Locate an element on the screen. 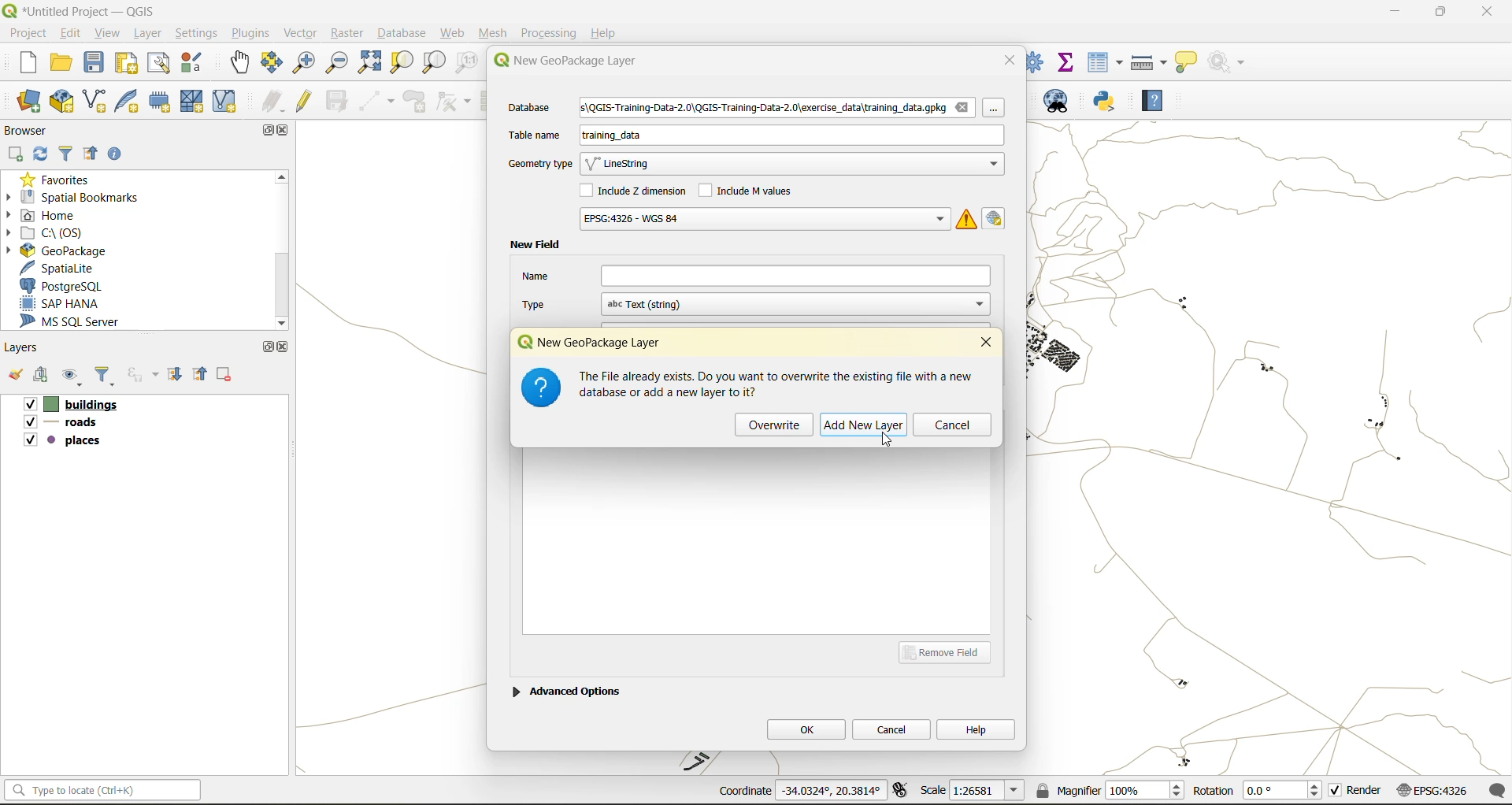 Image resolution: width=1512 pixels, height=805 pixels. save edits is located at coordinates (339, 101).